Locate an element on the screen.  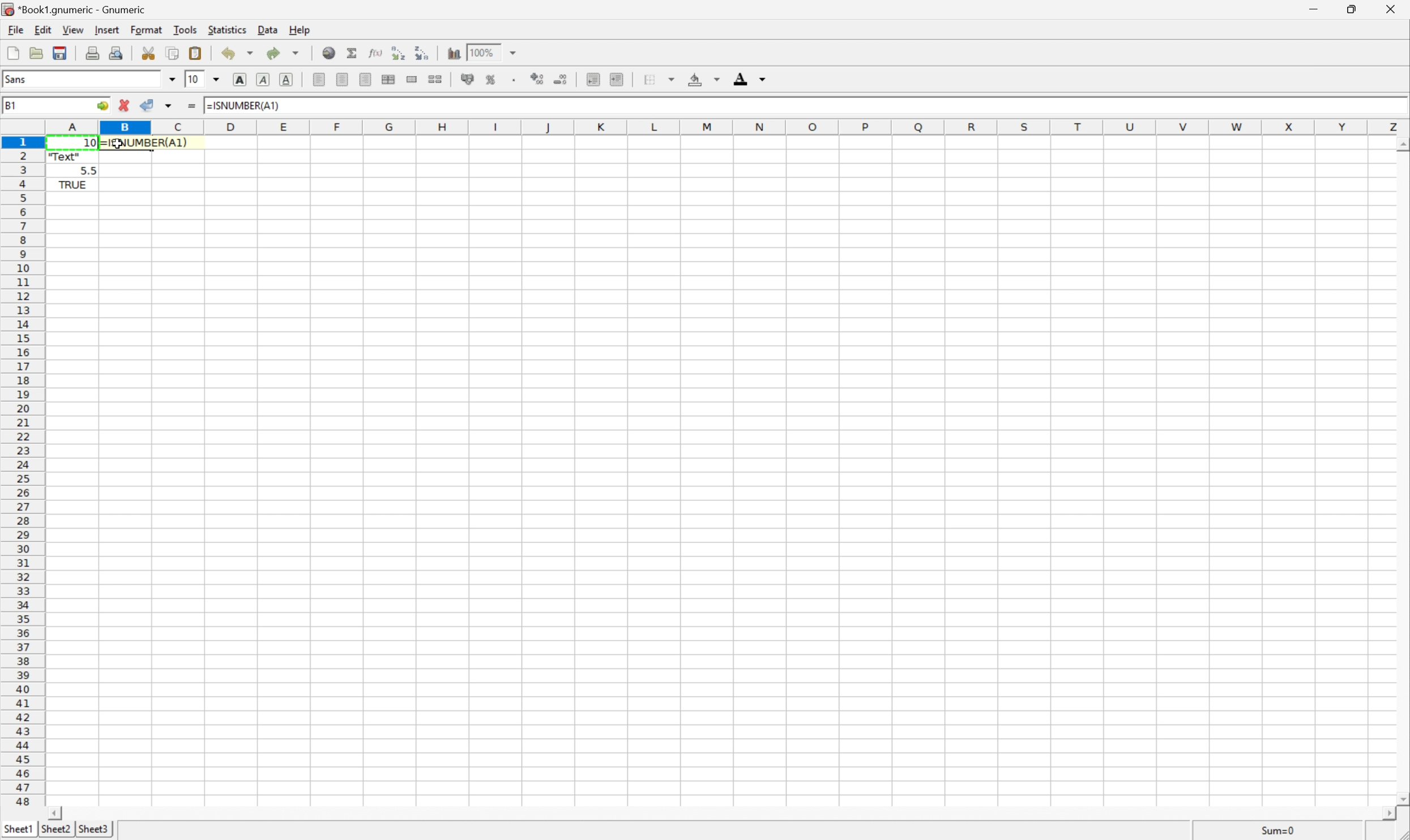
Insert a chart is located at coordinates (454, 52).